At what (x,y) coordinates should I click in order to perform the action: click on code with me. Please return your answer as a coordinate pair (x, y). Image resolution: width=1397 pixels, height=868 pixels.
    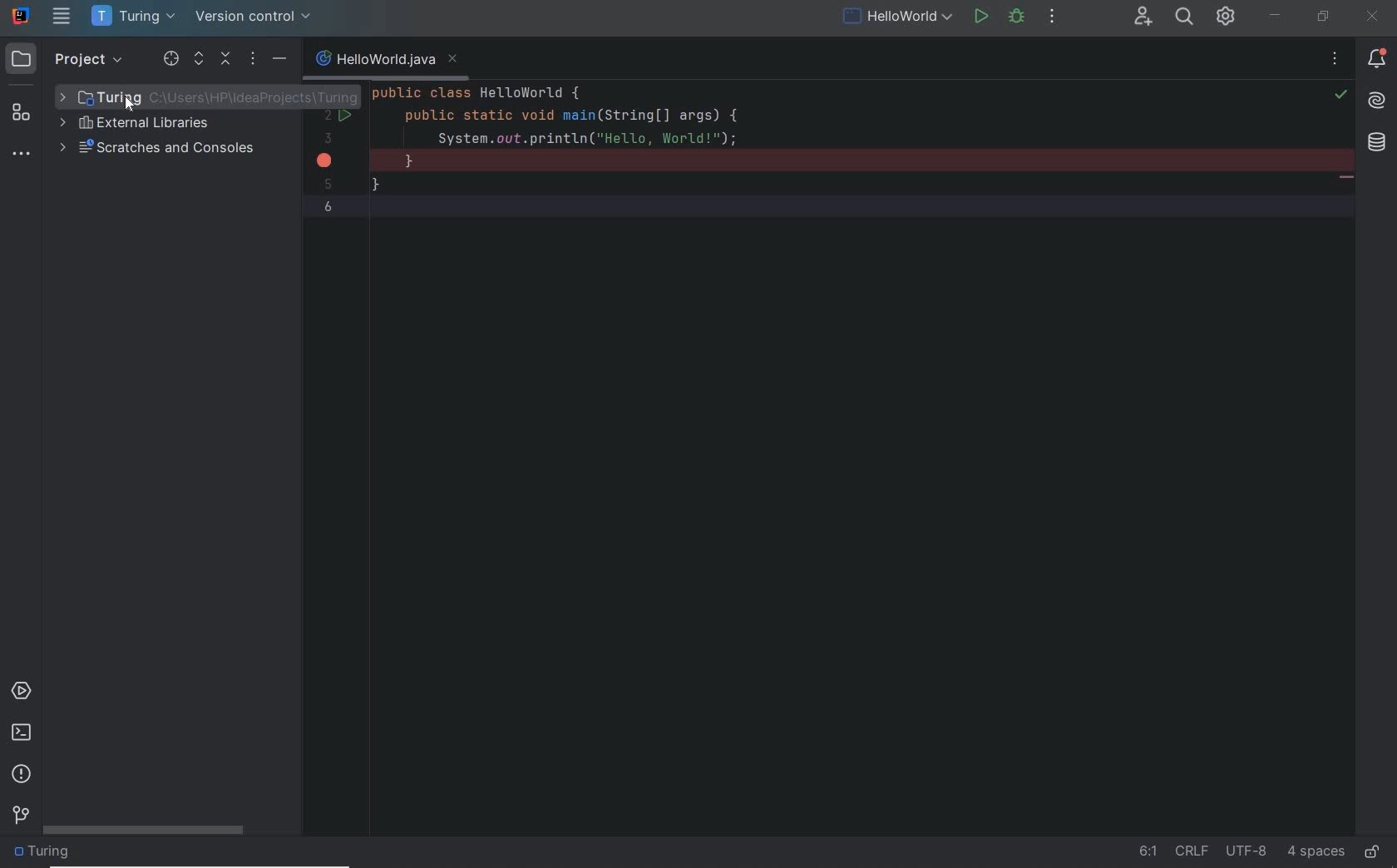
    Looking at the image, I should click on (1143, 17).